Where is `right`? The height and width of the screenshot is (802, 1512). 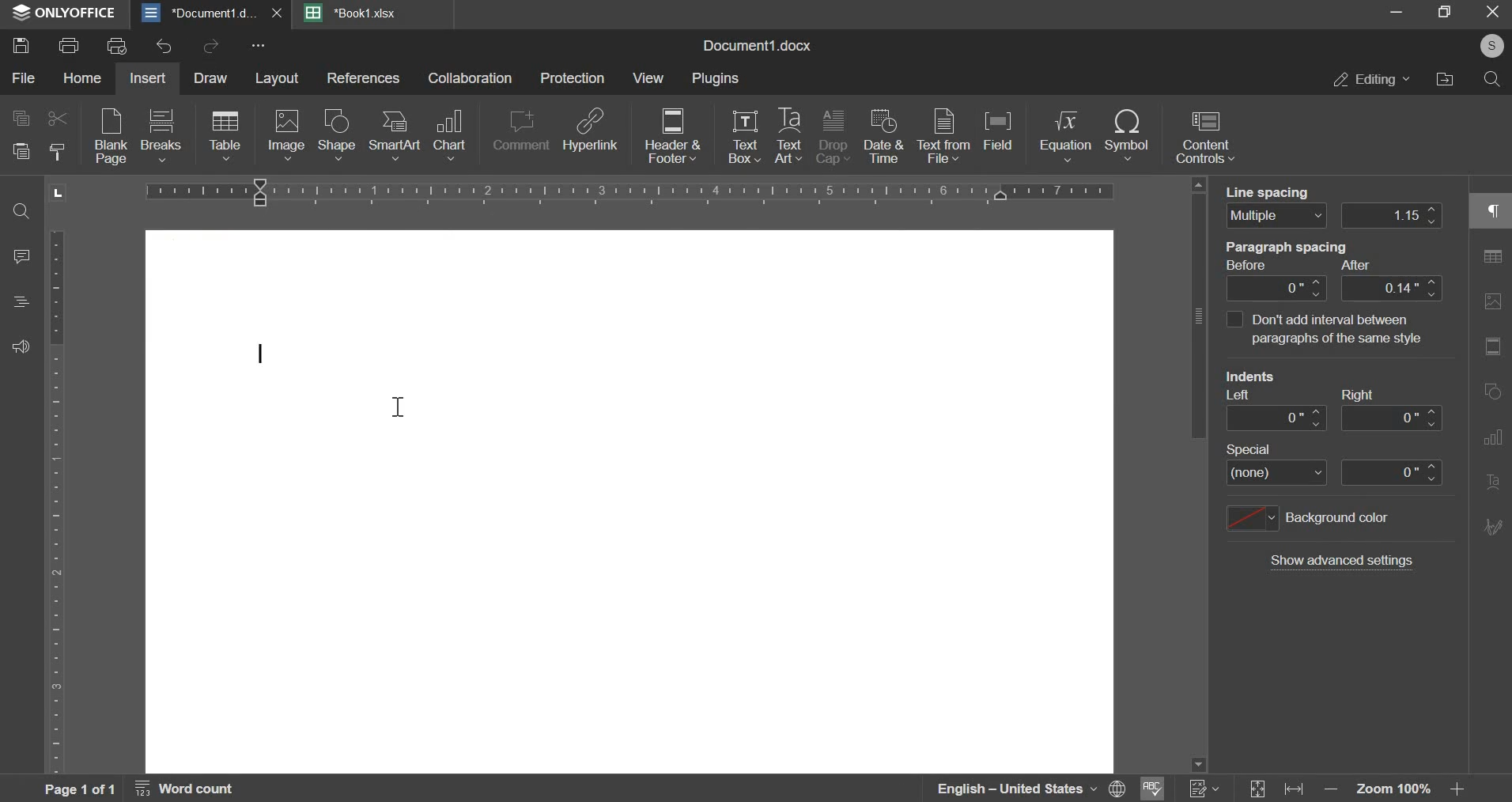
right is located at coordinates (1391, 418).